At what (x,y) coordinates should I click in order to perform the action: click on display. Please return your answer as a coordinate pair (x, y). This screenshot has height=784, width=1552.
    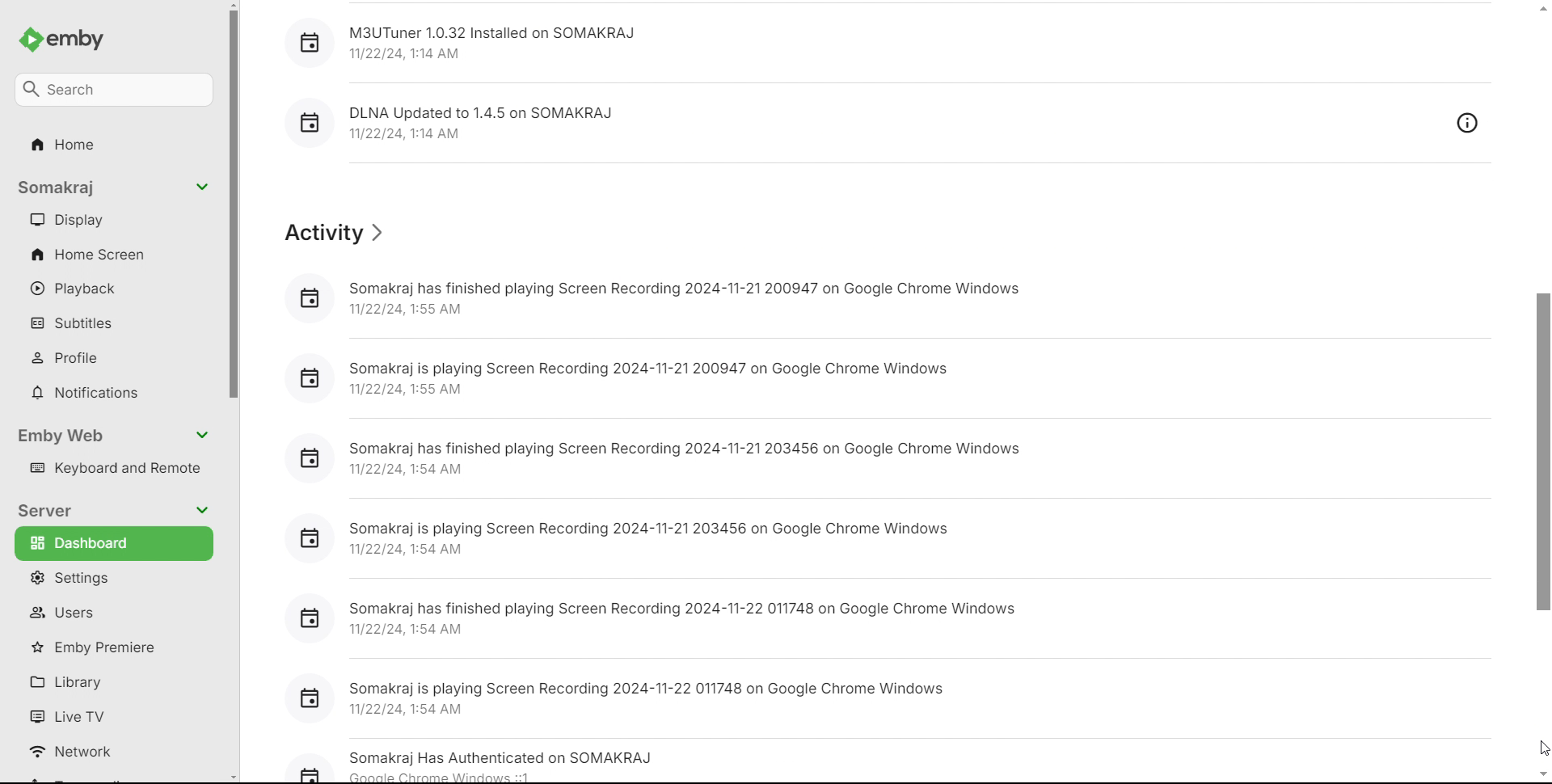
    Looking at the image, I should click on (114, 220).